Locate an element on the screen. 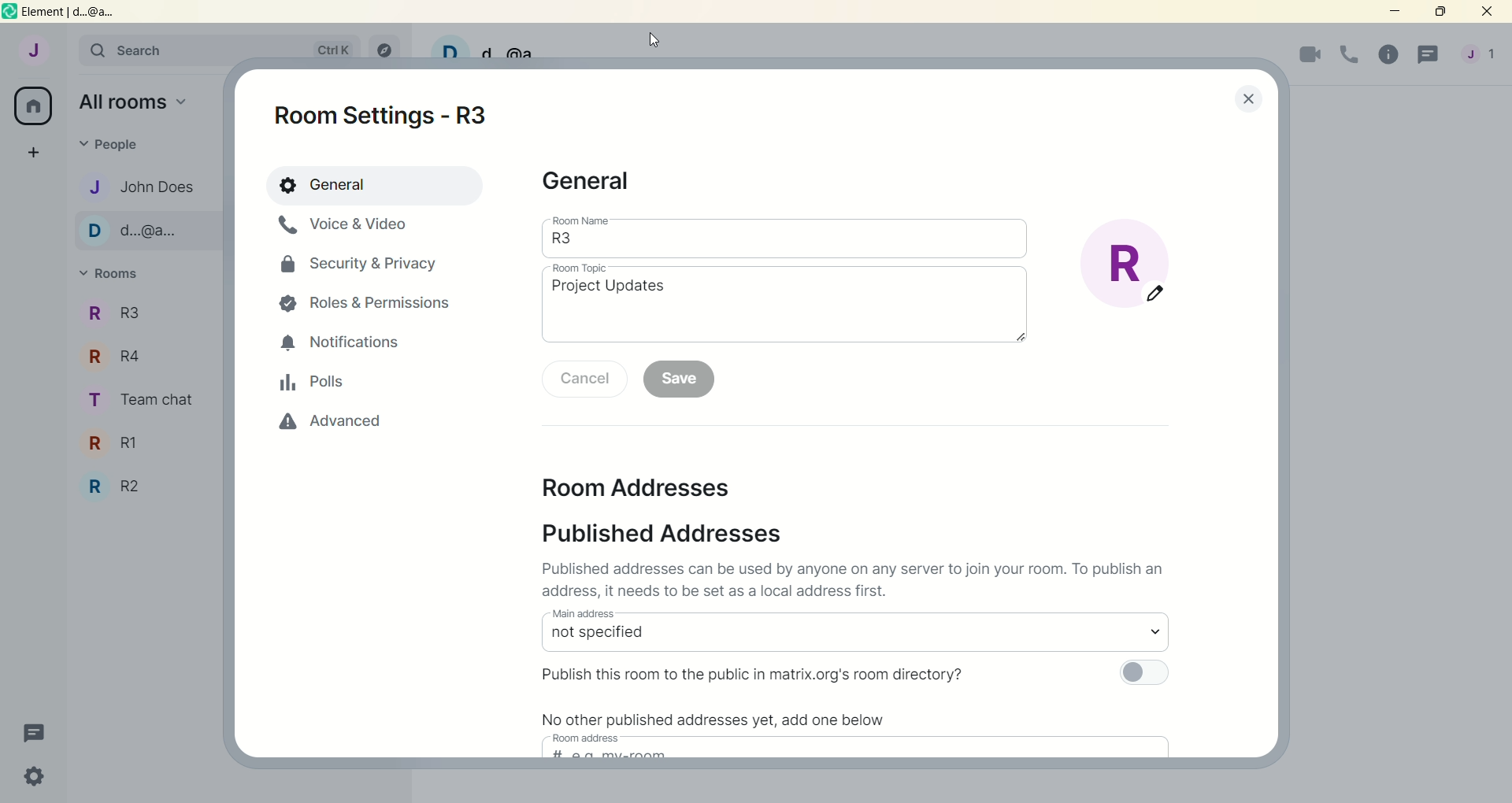  search is located at coordinates (148, 52).